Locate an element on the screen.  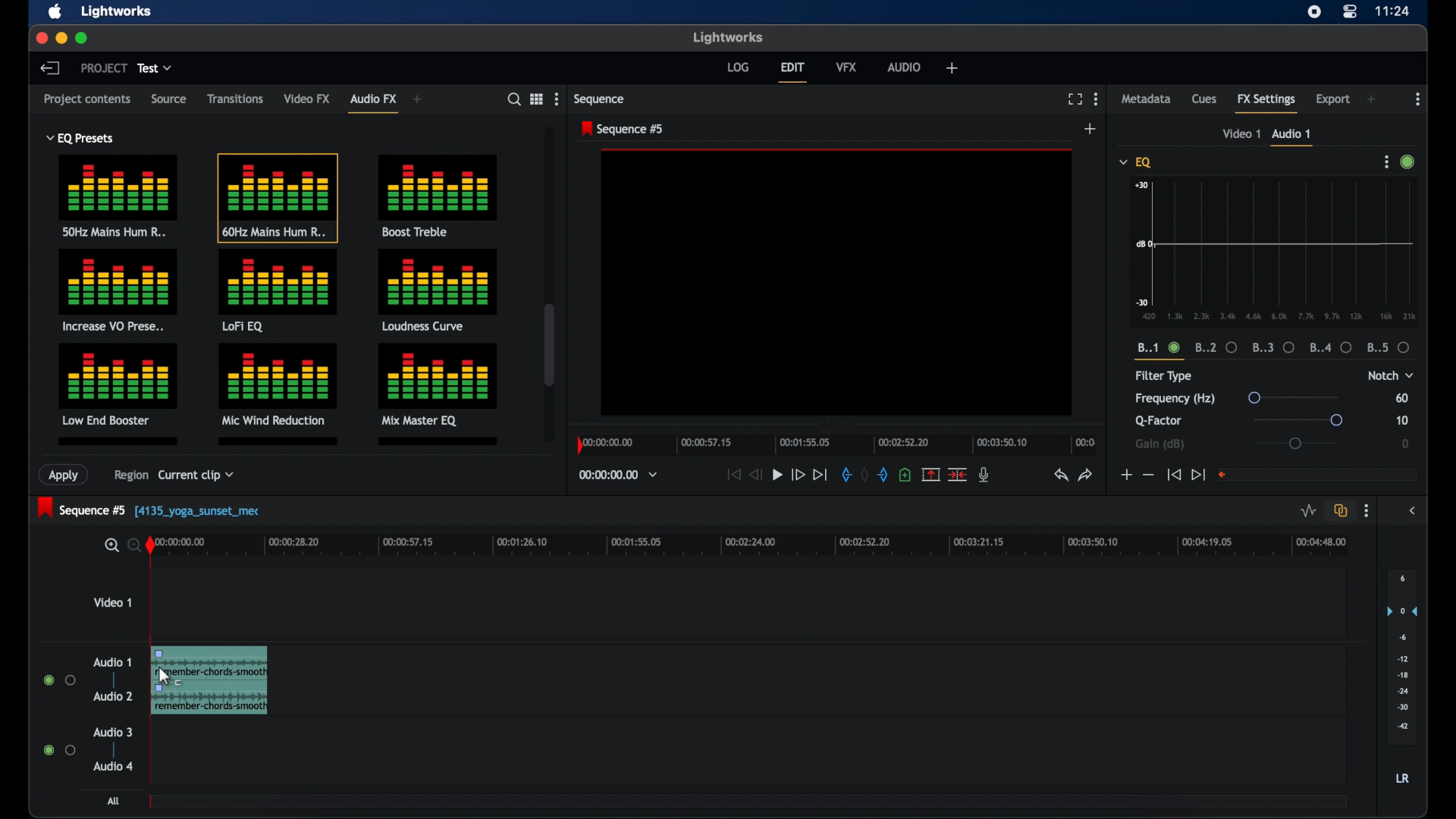
jump to end is located at coordinates (820, 474).